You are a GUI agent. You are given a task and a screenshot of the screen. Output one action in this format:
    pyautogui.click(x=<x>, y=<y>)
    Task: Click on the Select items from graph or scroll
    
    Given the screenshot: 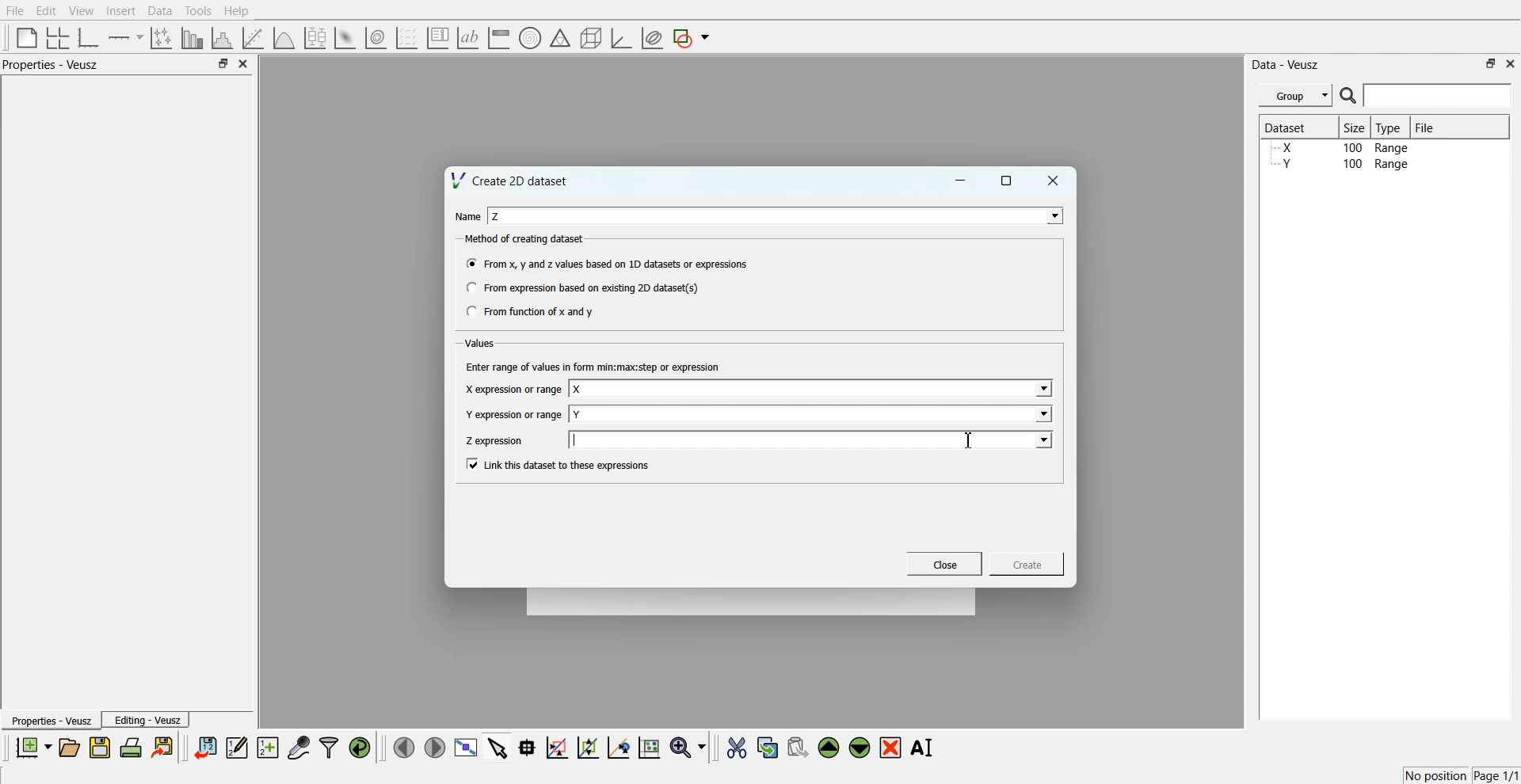 What is the action you would take?
    pyautogui.click(x=498, y=746)
    